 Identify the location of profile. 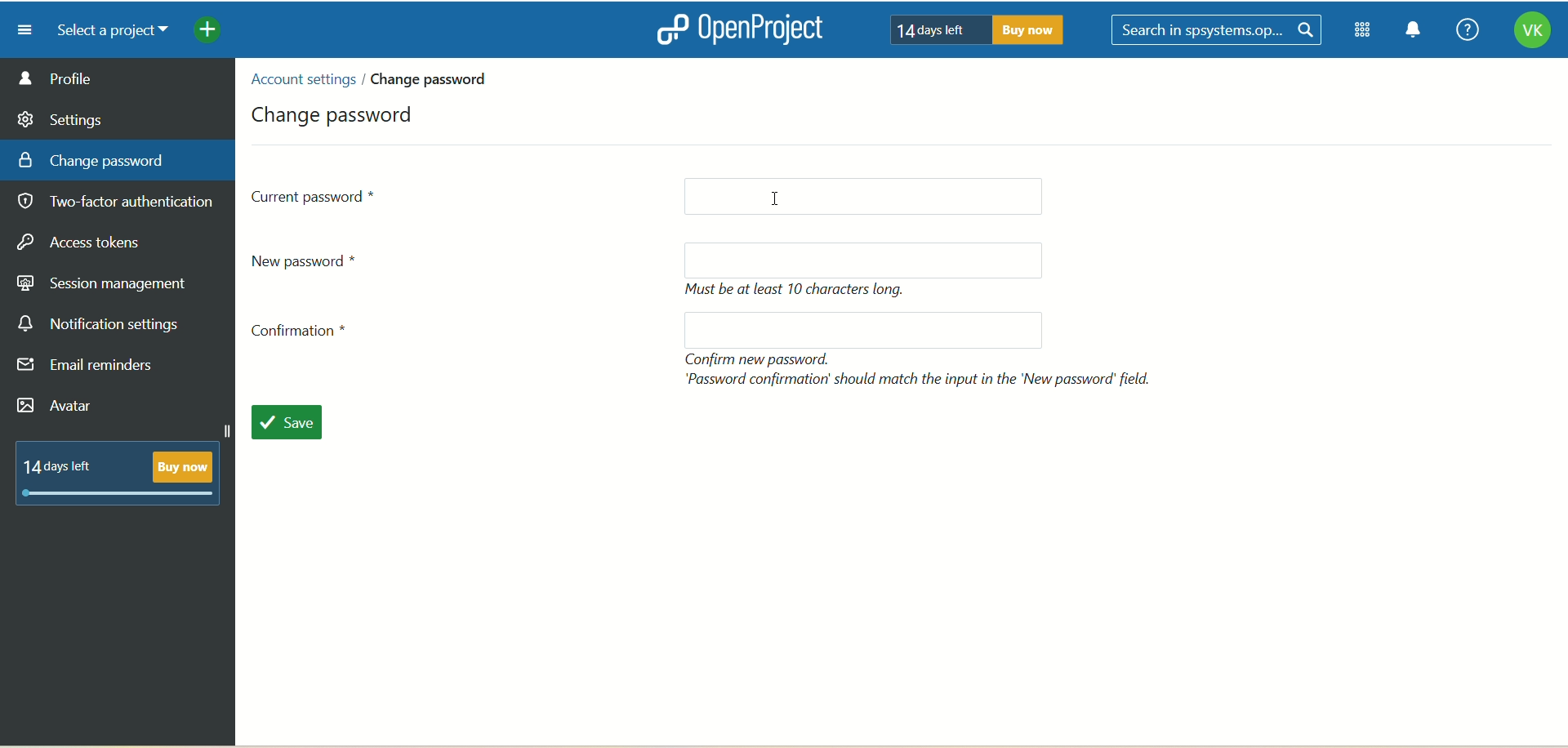
(118, 78).